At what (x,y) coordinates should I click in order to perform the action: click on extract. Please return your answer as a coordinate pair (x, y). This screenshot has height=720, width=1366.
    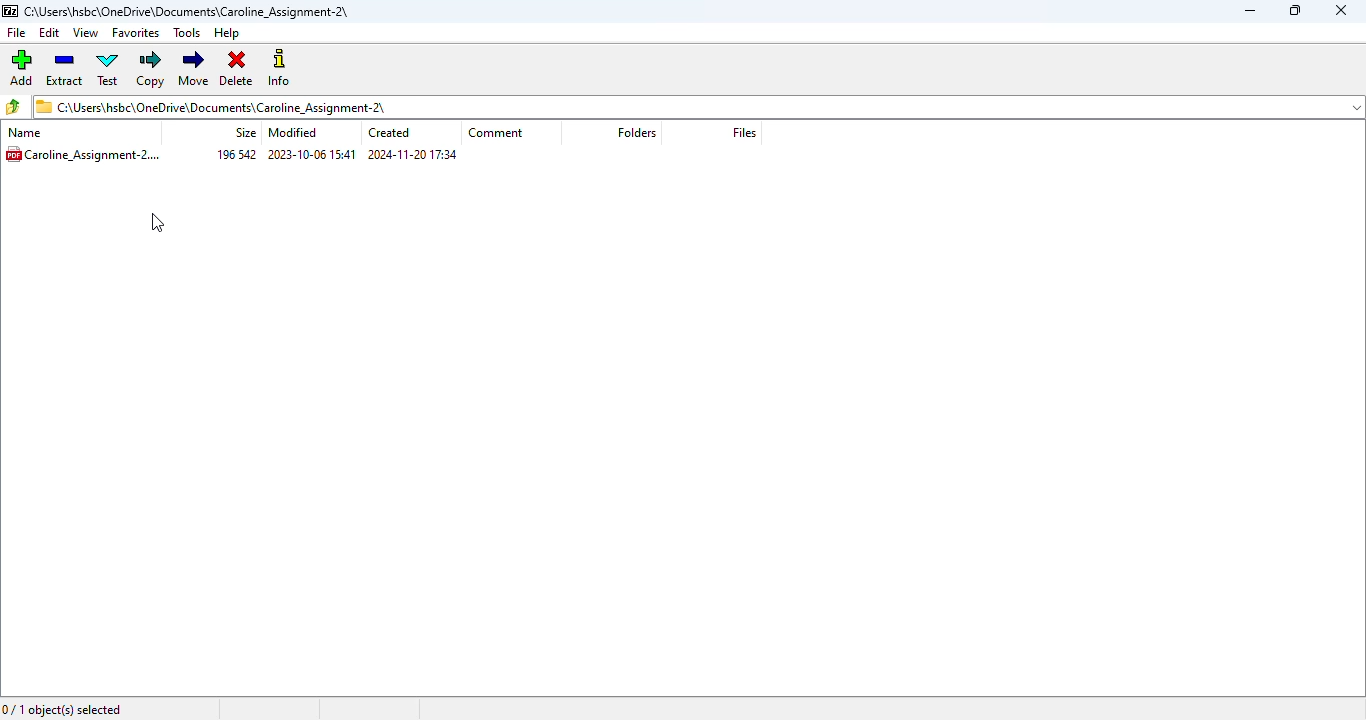
    Looking at the image, I should click on (63, 69).